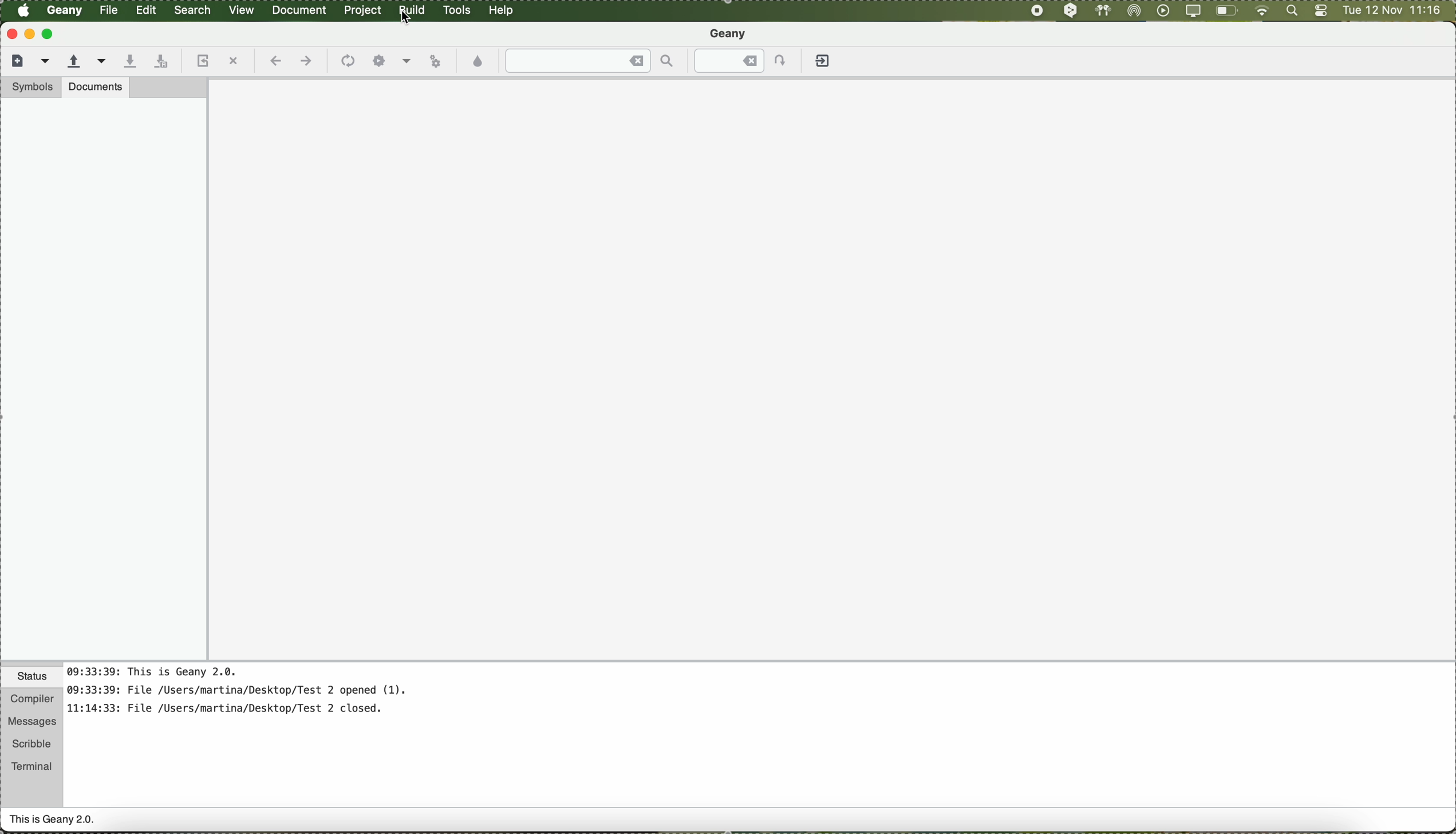  I want to click on wifi, so click(1262, 11).